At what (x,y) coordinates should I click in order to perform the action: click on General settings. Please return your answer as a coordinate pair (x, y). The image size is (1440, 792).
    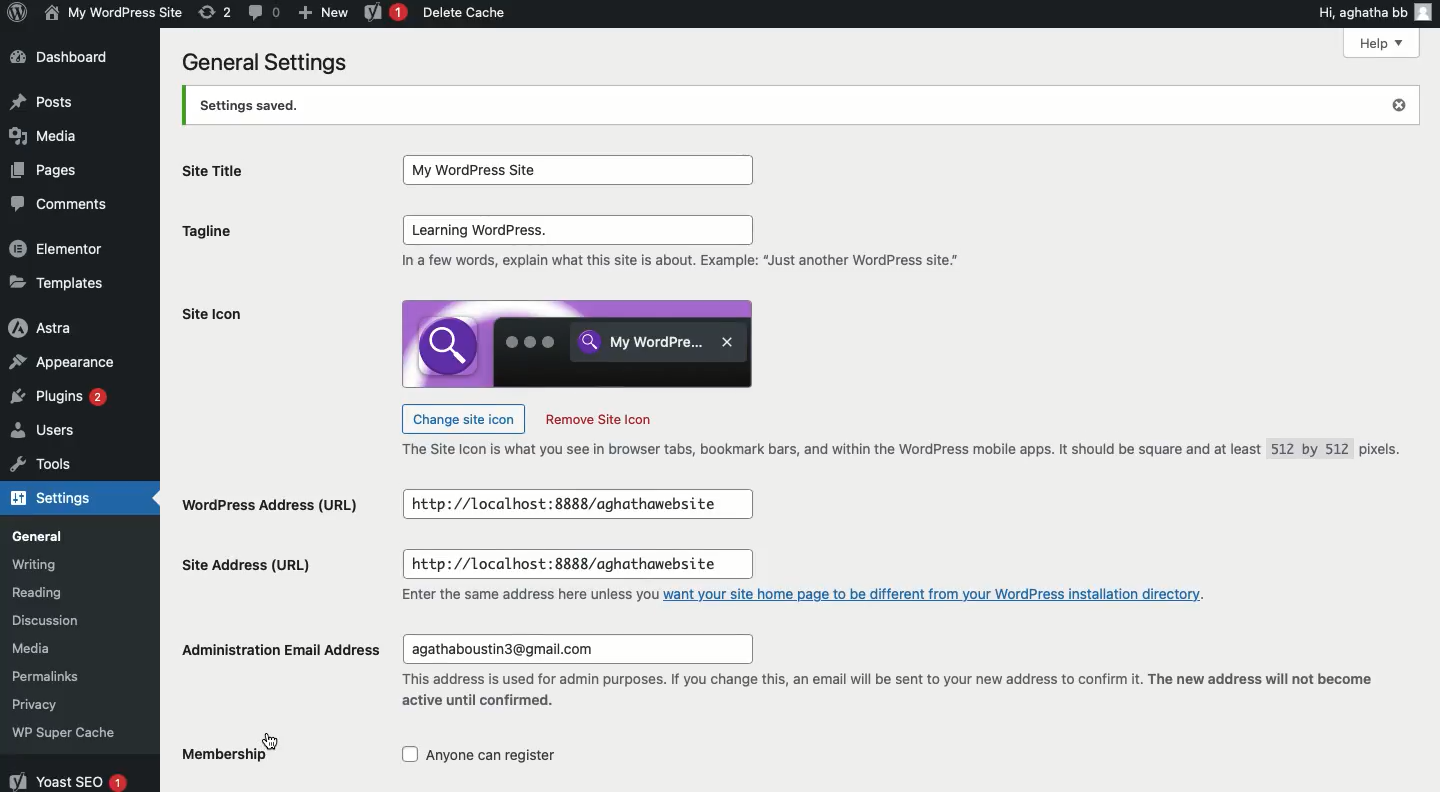
    Looking at the image, I should click on (264, 63).